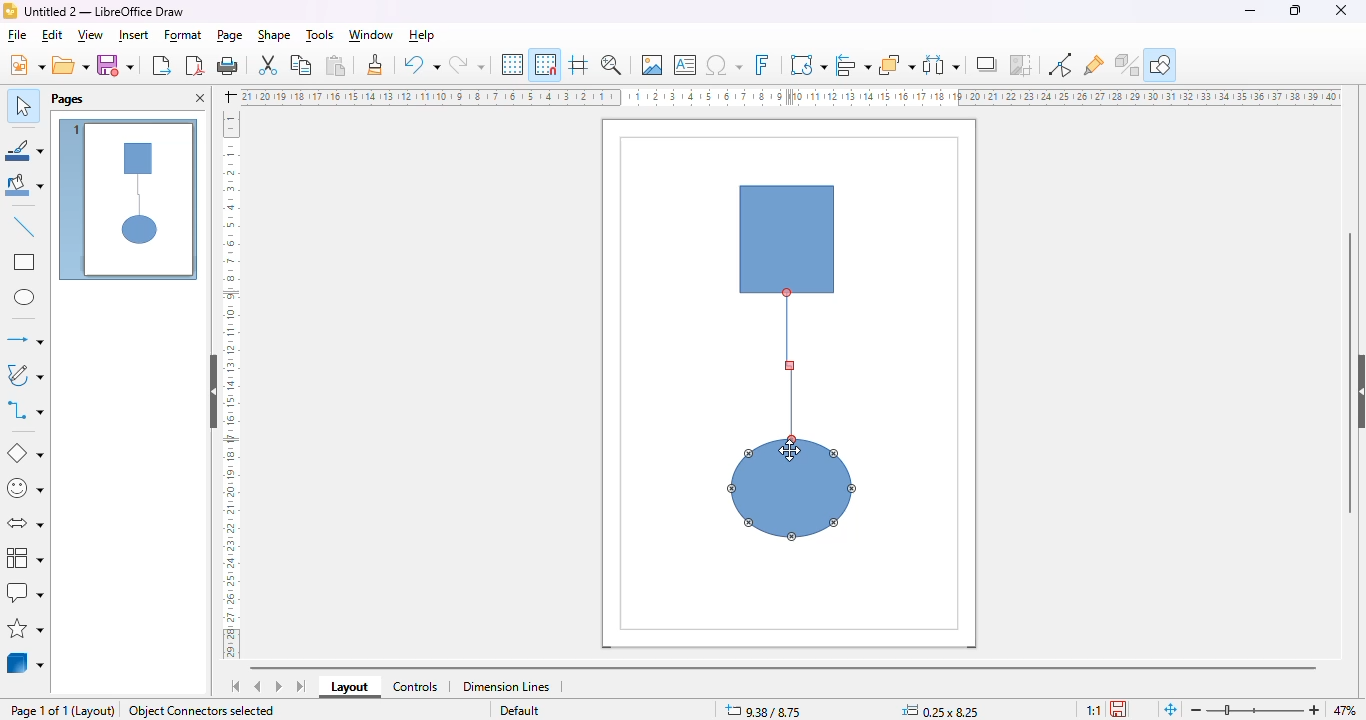 The image size is (1366, 720). I want to click on window, so click(371, 35).